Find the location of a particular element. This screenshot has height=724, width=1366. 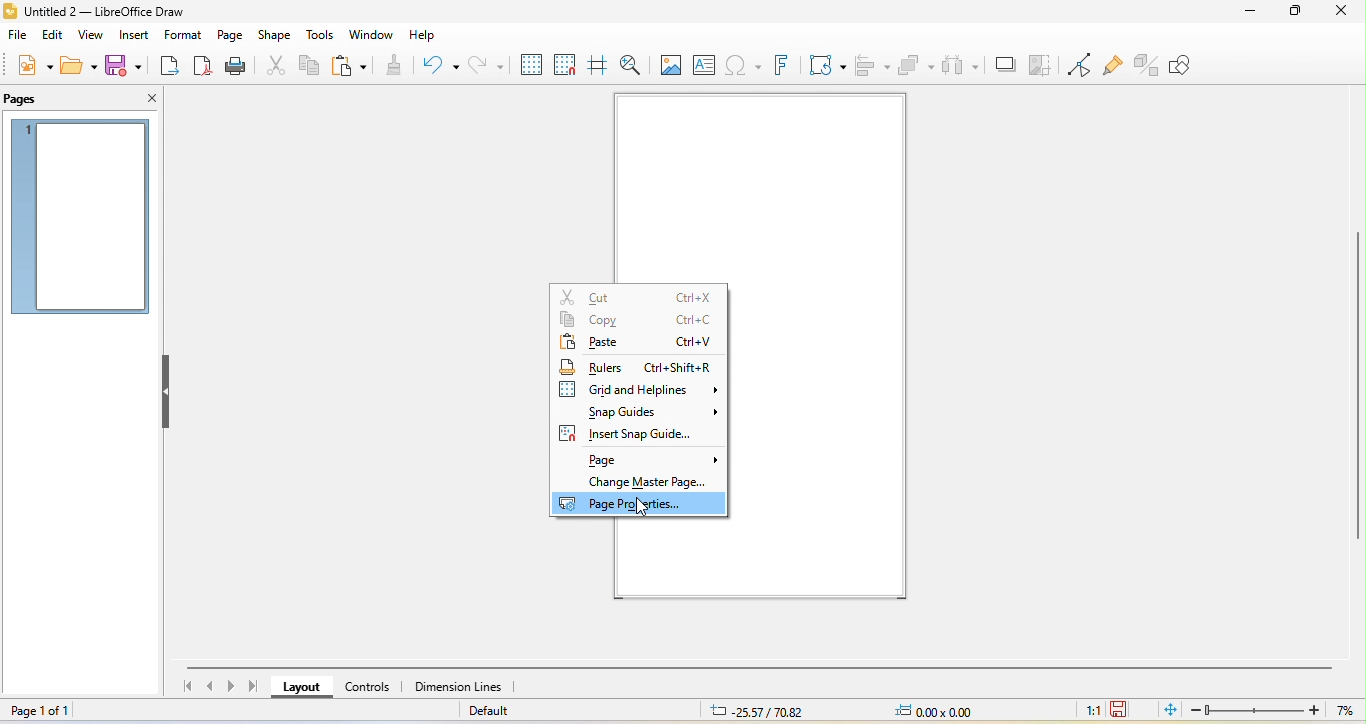

undo is located at coordinates (438, 65).